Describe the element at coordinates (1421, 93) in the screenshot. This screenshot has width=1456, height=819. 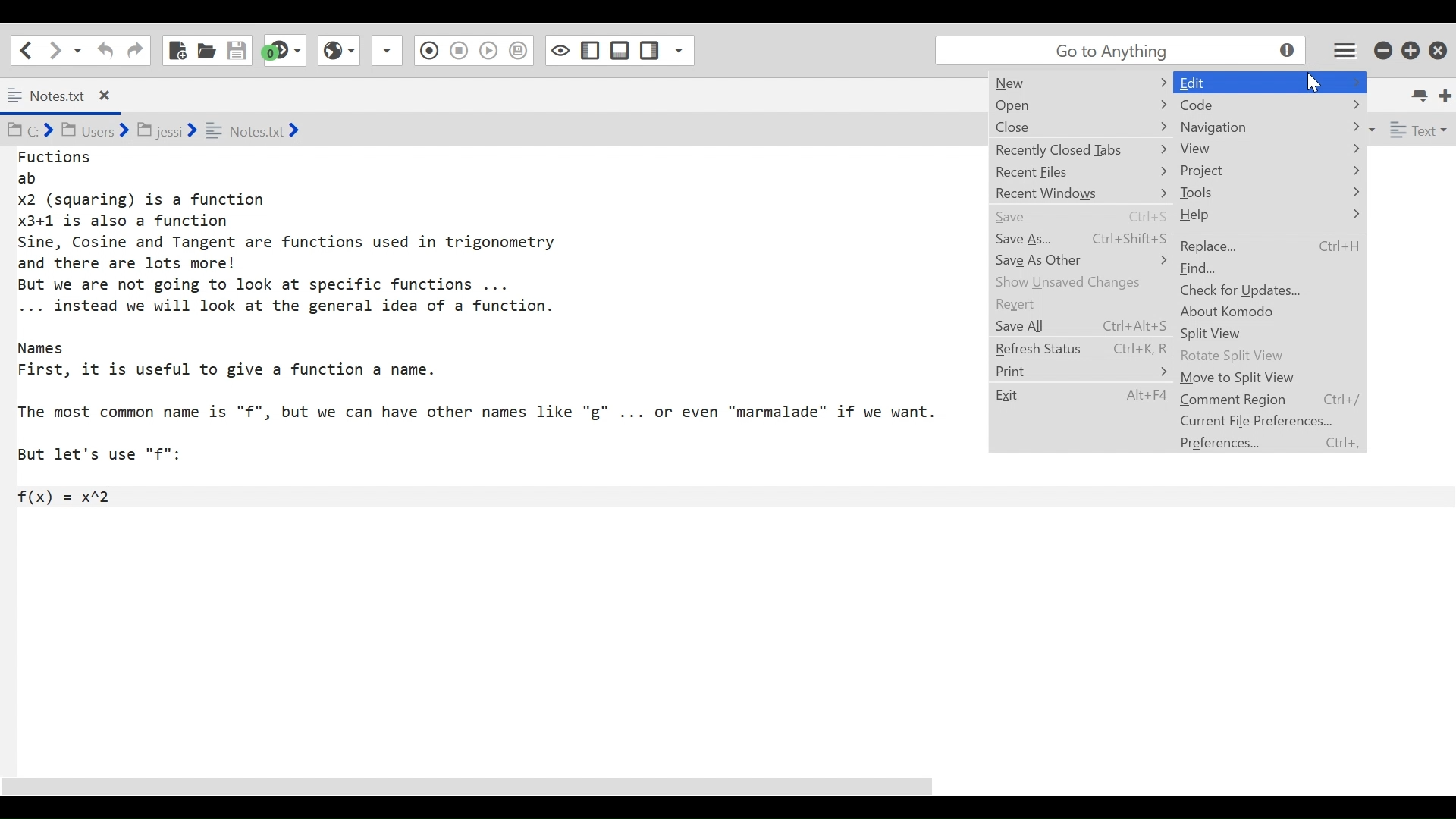
I see `List All Tabs` at that location.